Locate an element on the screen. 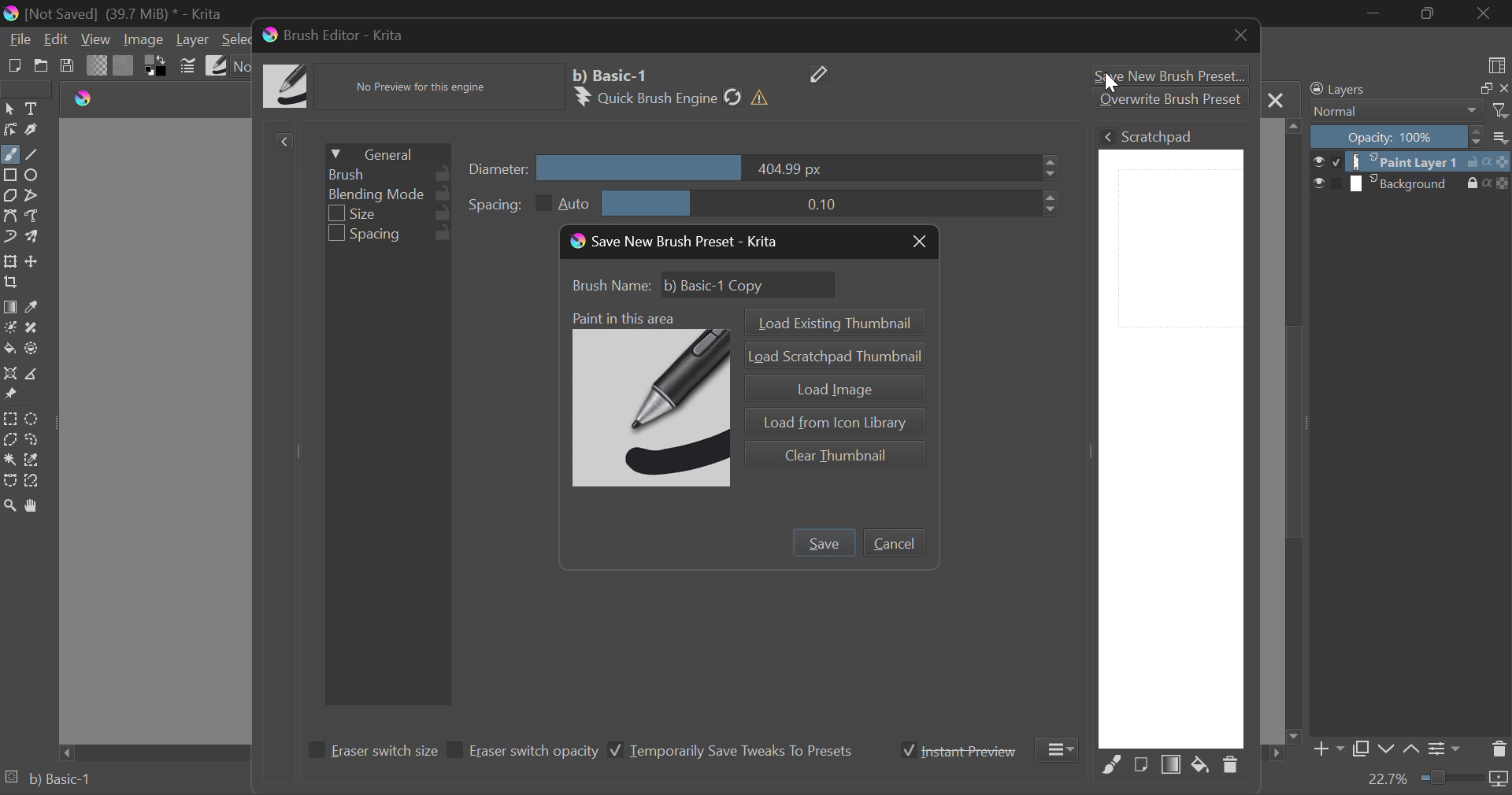  Magnetic Selection is located at coordinates (33, 482).